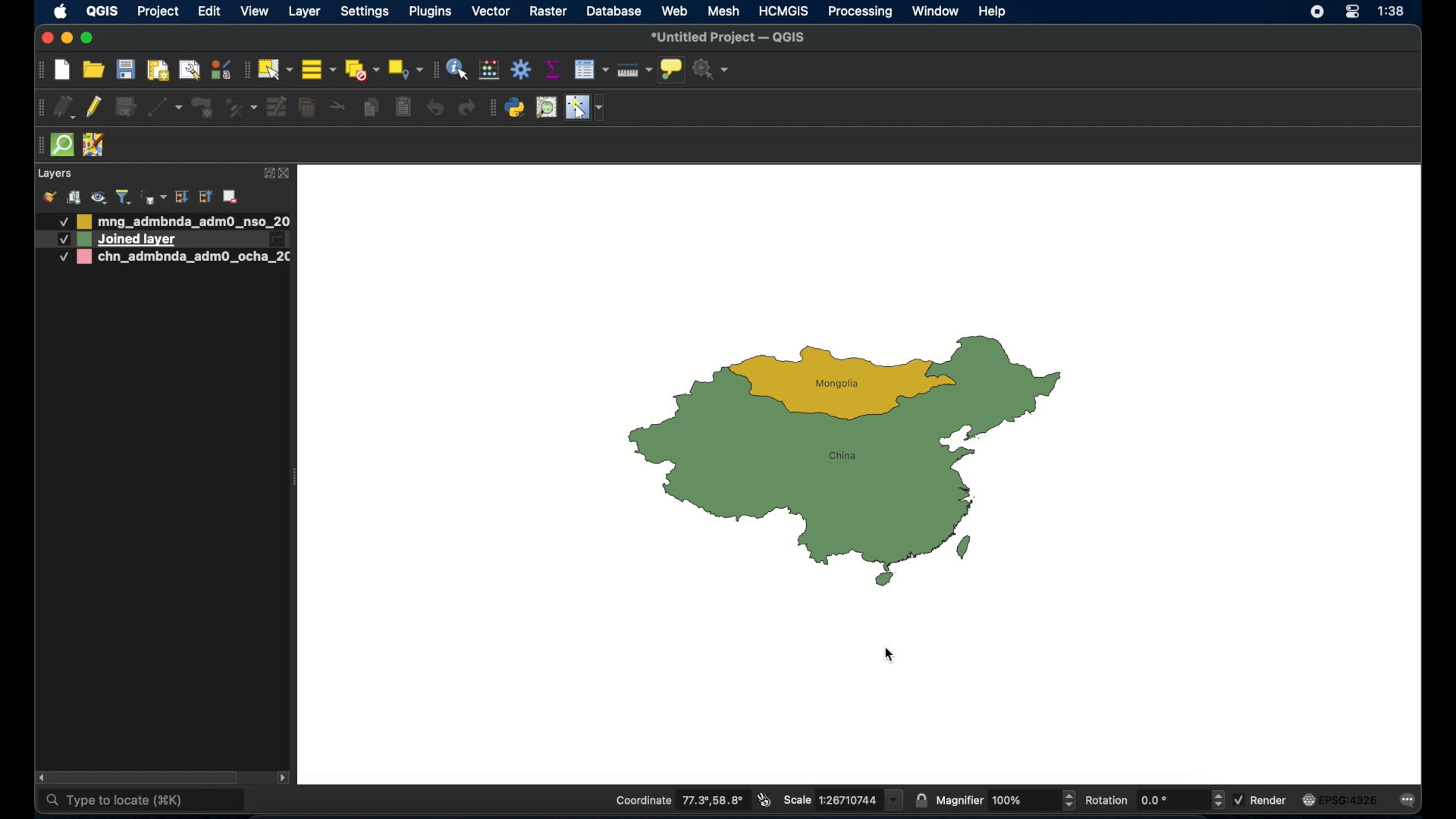  I want to click on scroll right arrow, so click(287, 777).